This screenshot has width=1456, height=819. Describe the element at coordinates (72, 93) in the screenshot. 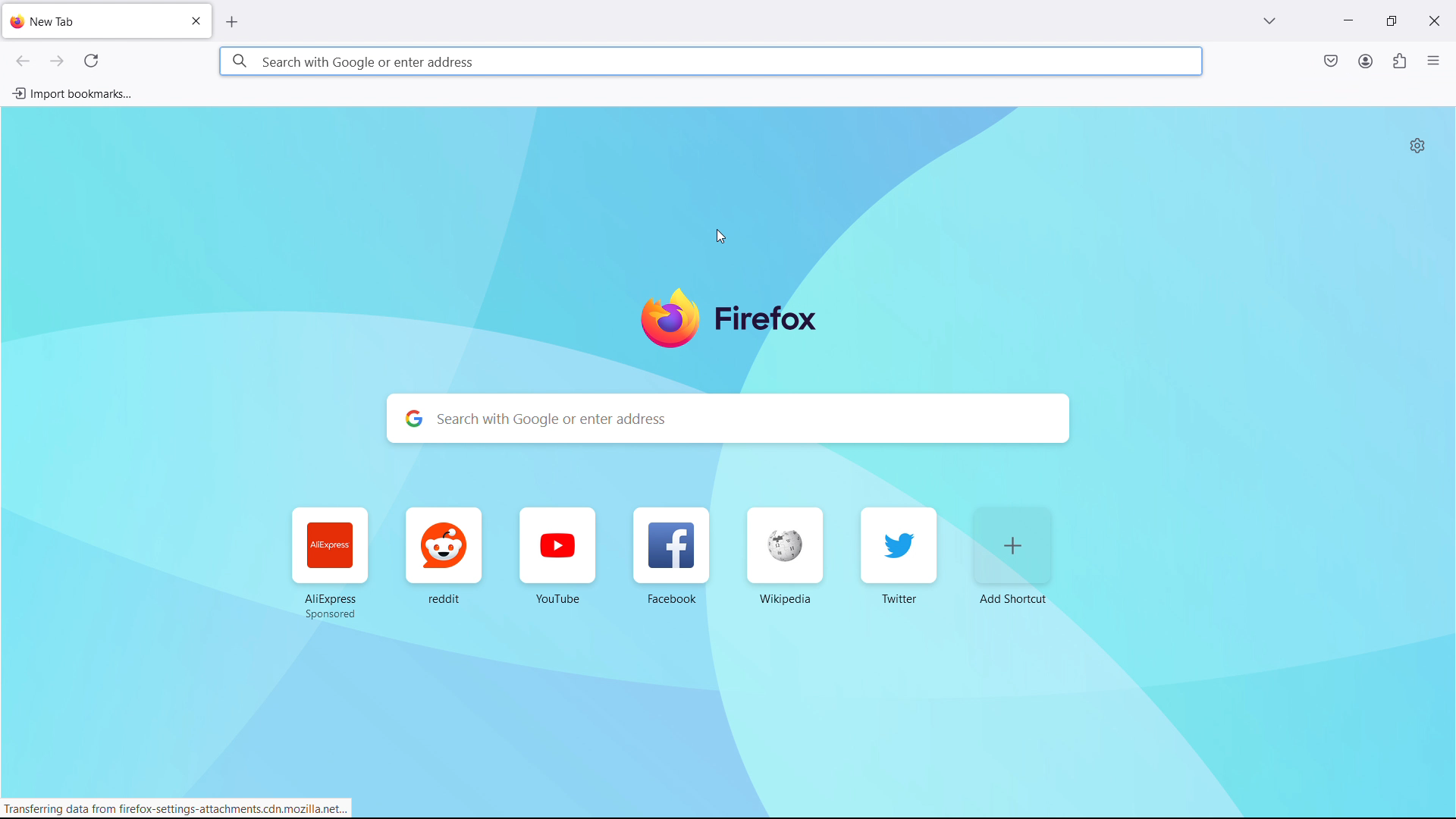

I see `import bookmarks` at that location.